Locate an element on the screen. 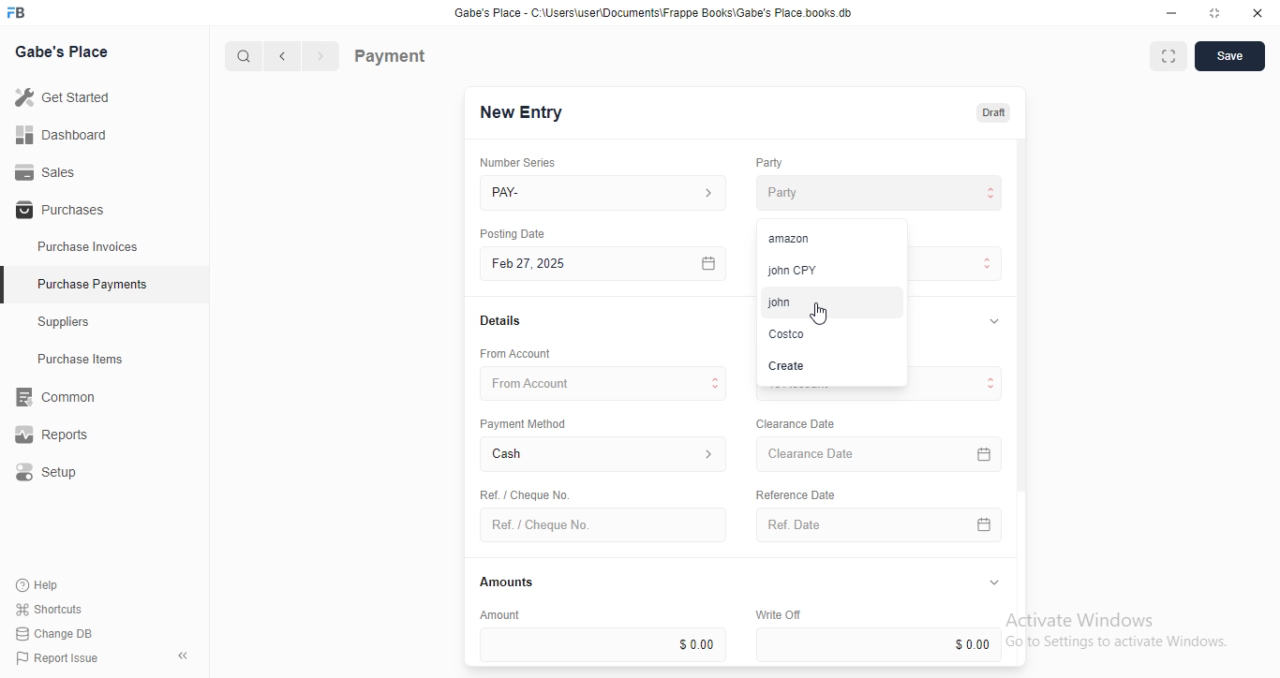 The height and width of the screenshot is (678, 1280). john CPY is located at coordinates (793, 270).